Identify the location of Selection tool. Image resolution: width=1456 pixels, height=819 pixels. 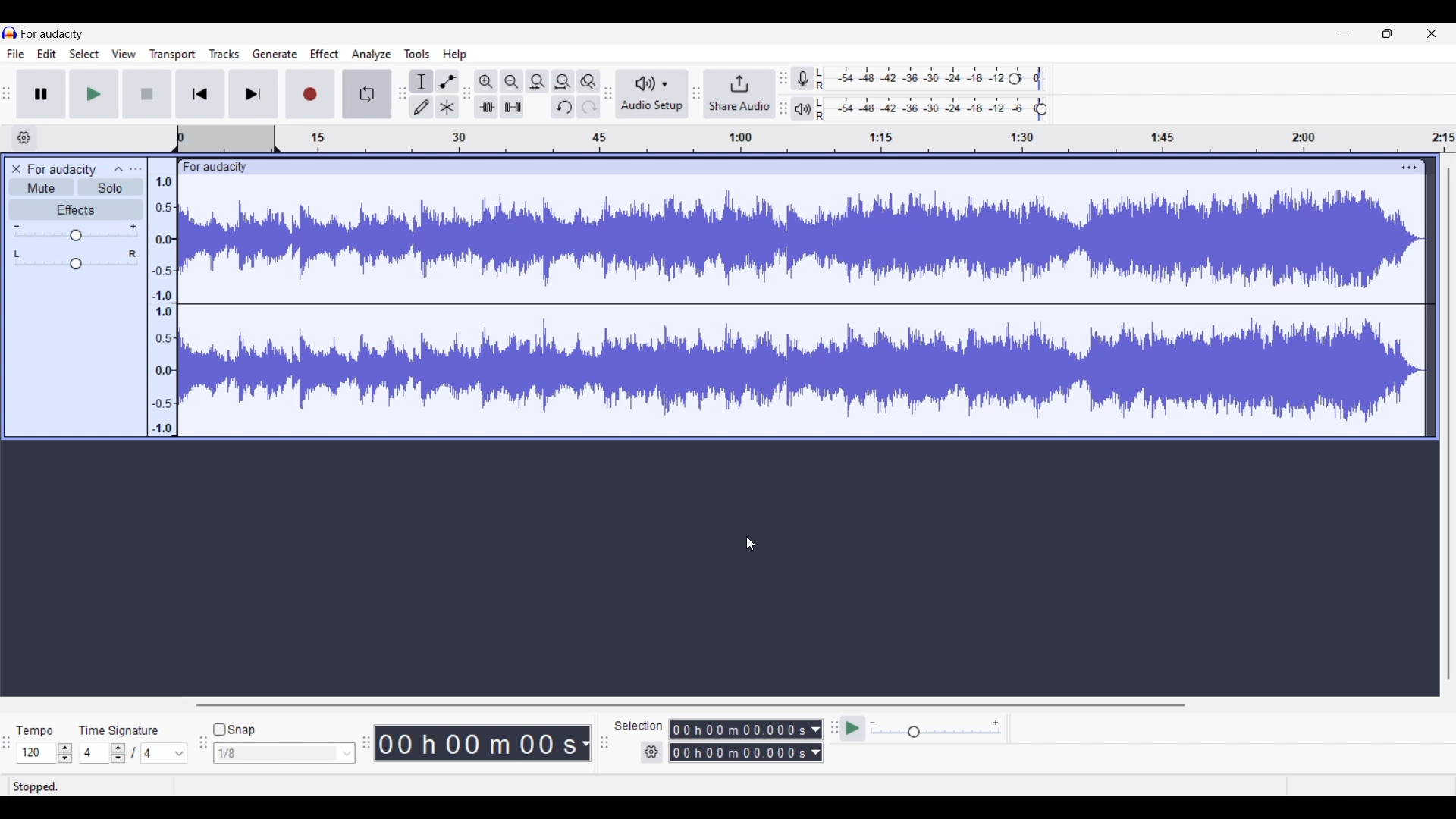
(422, 81).